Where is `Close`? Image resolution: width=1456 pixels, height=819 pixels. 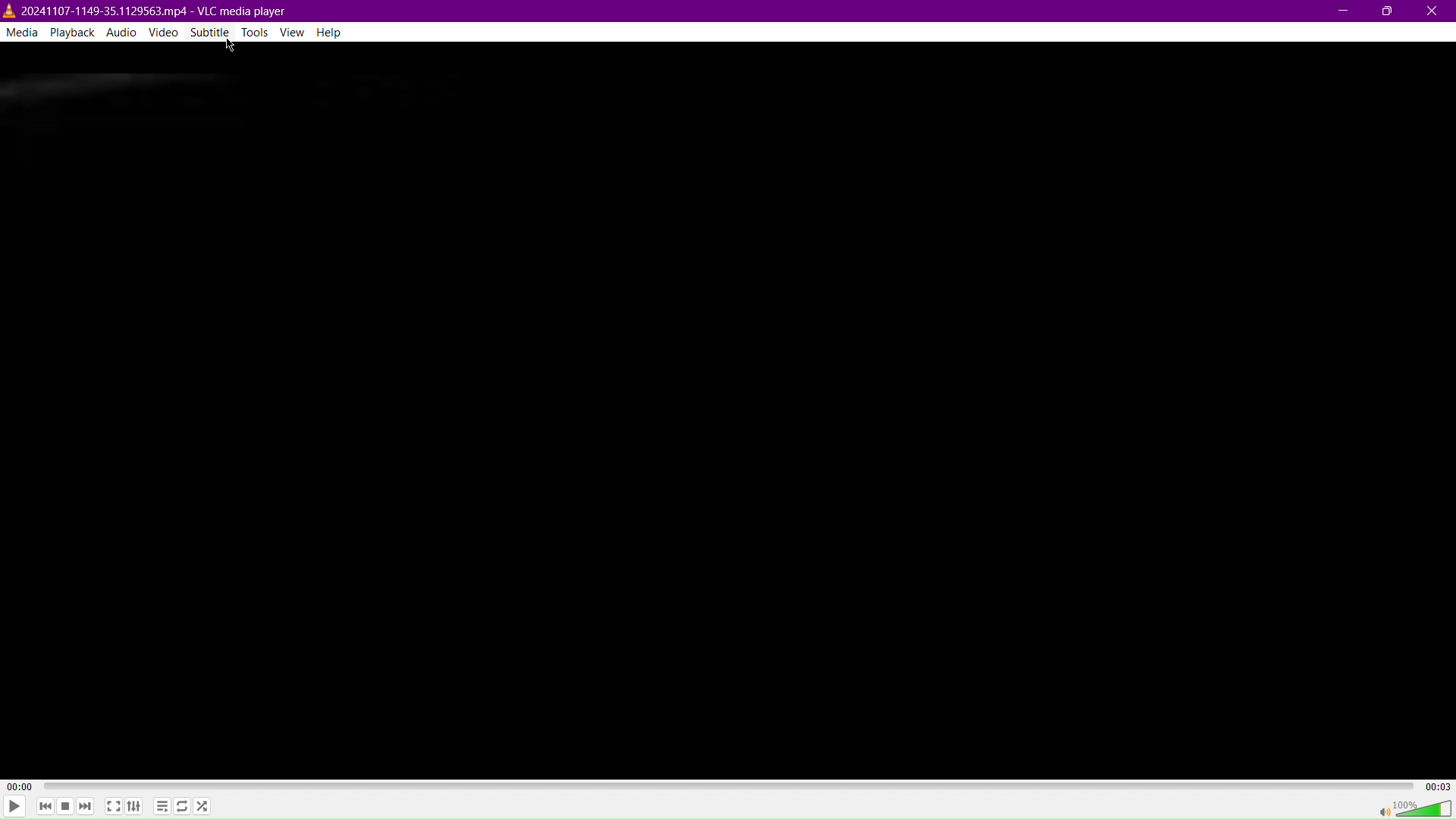
Close is located at coordinates (1434, 11).